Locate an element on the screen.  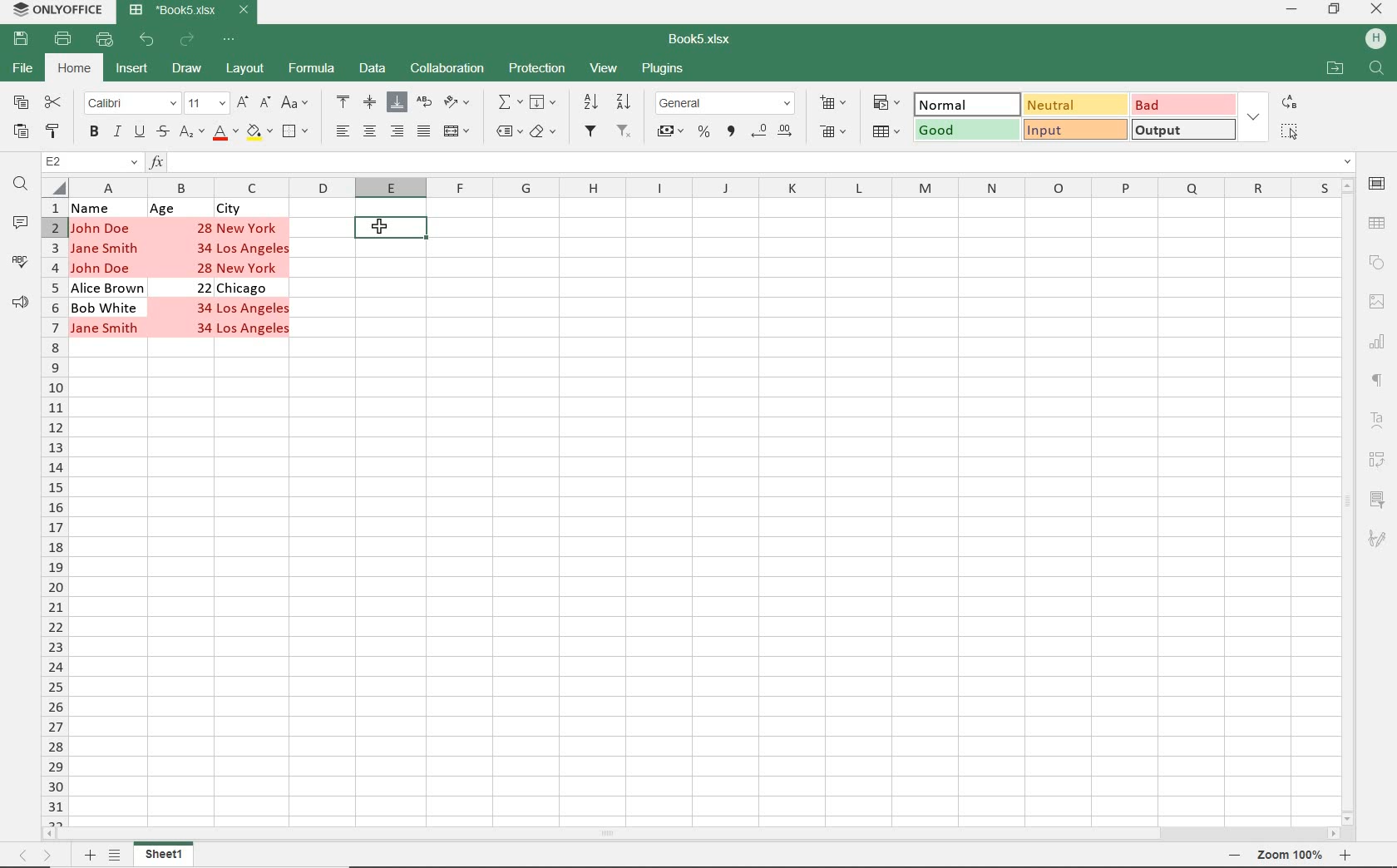
FILL is located at coordinates (543, 101).